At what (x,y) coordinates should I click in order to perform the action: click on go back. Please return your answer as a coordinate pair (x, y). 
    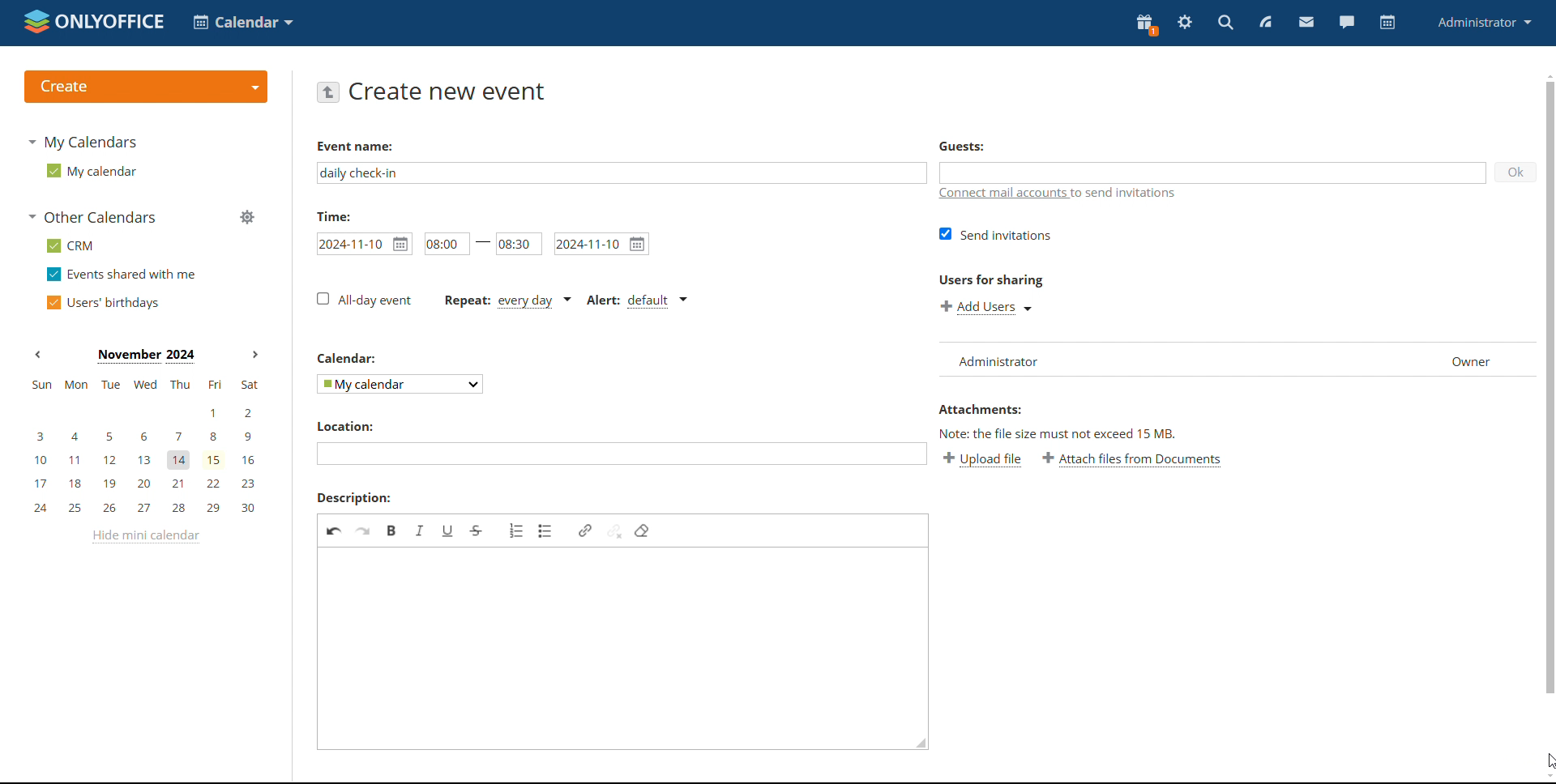
    Looking at the image, I should click on (328, 92).